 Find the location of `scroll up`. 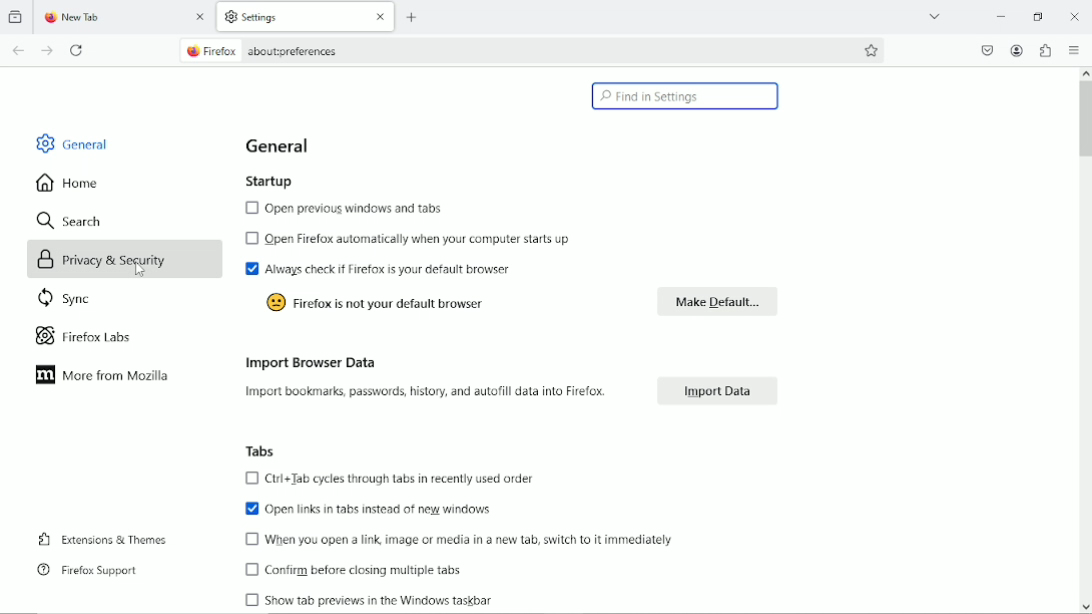

scroll up is located at coordinates (1084, 74).